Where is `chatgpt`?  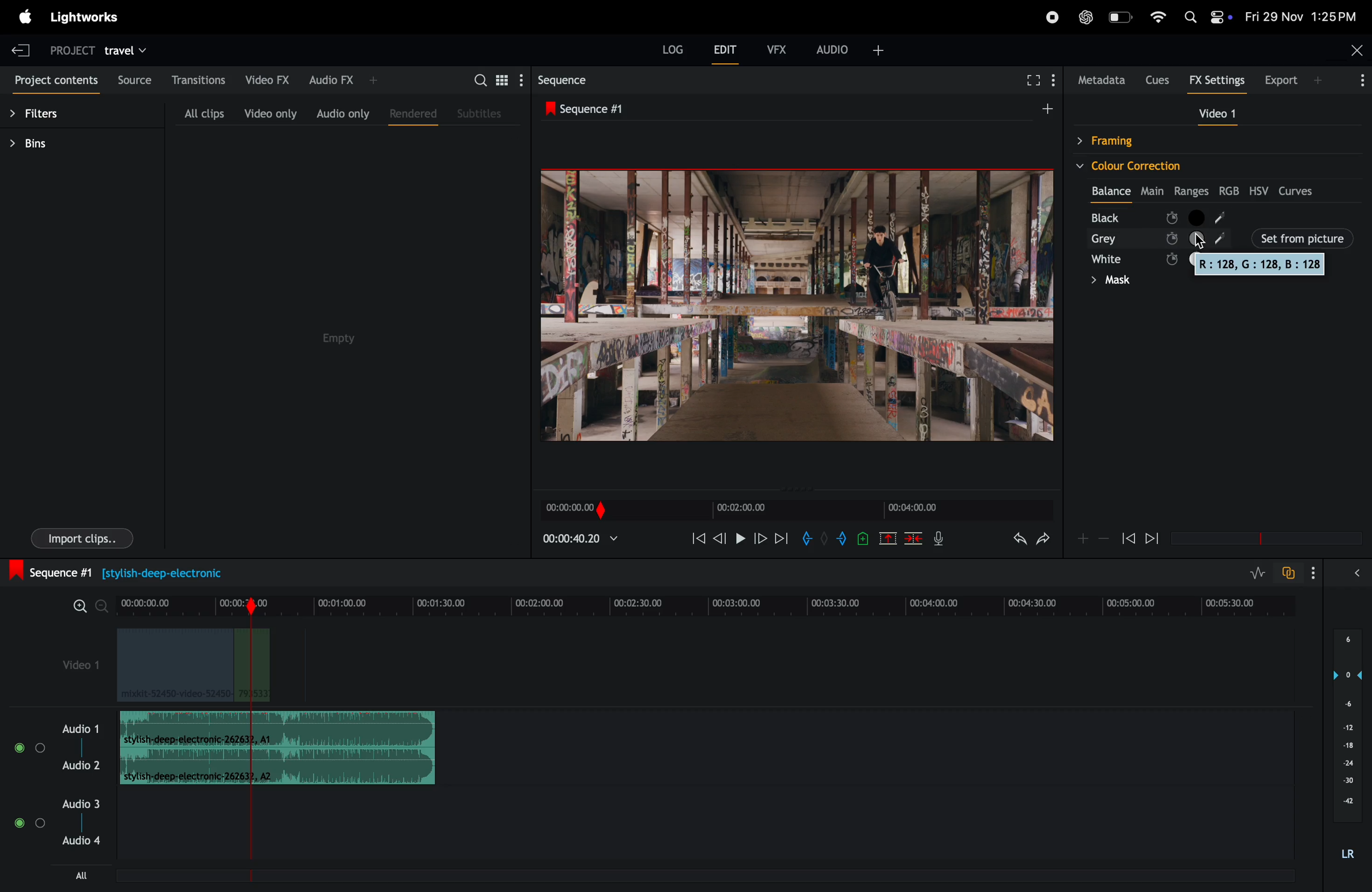 chatgpt is located at coordinates (1085, 17).